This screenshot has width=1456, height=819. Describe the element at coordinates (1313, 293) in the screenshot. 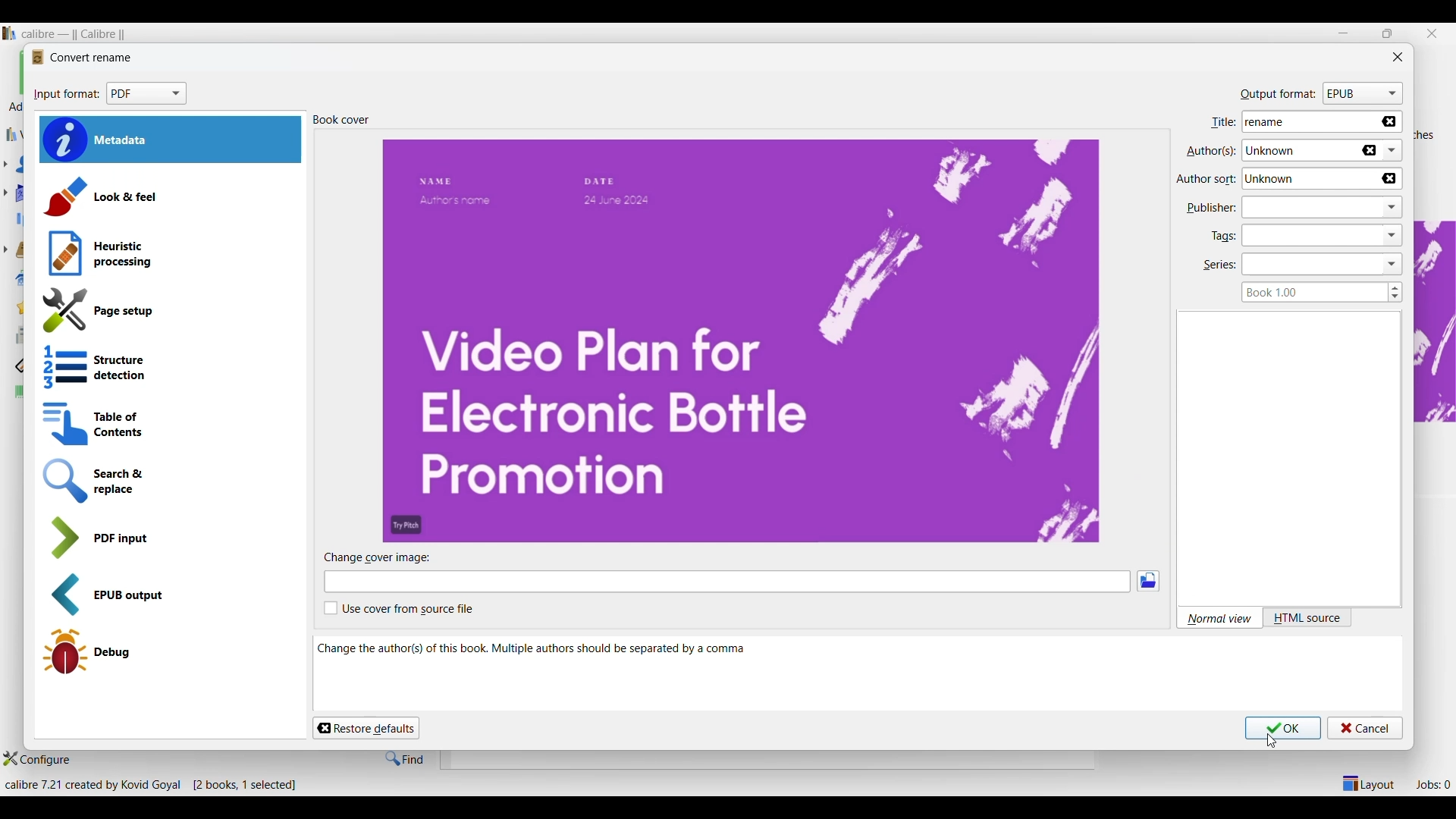

I see `Type in book series` at that location.